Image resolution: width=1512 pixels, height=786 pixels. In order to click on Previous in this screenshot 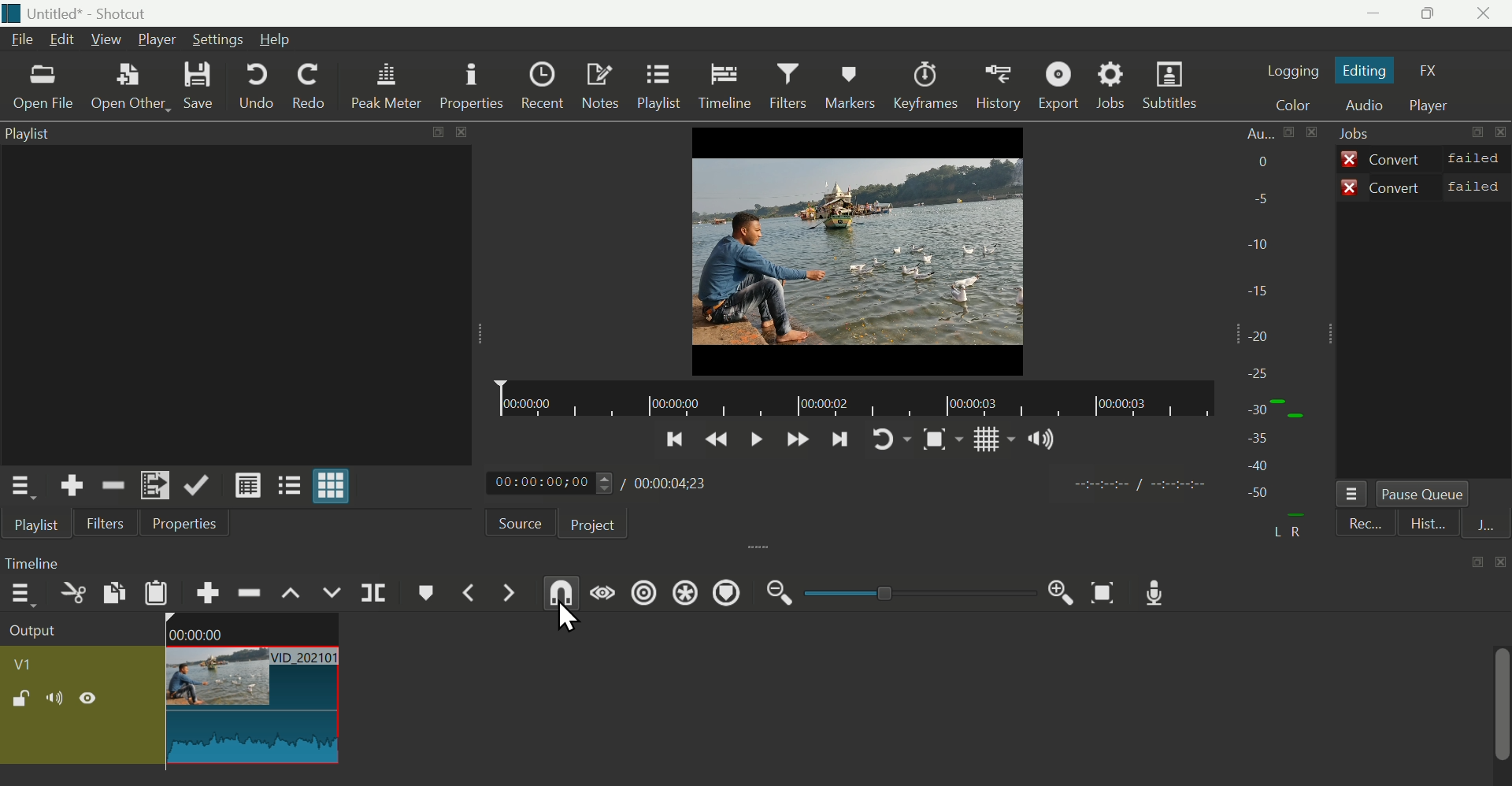, I will do `click(717, 443)`.